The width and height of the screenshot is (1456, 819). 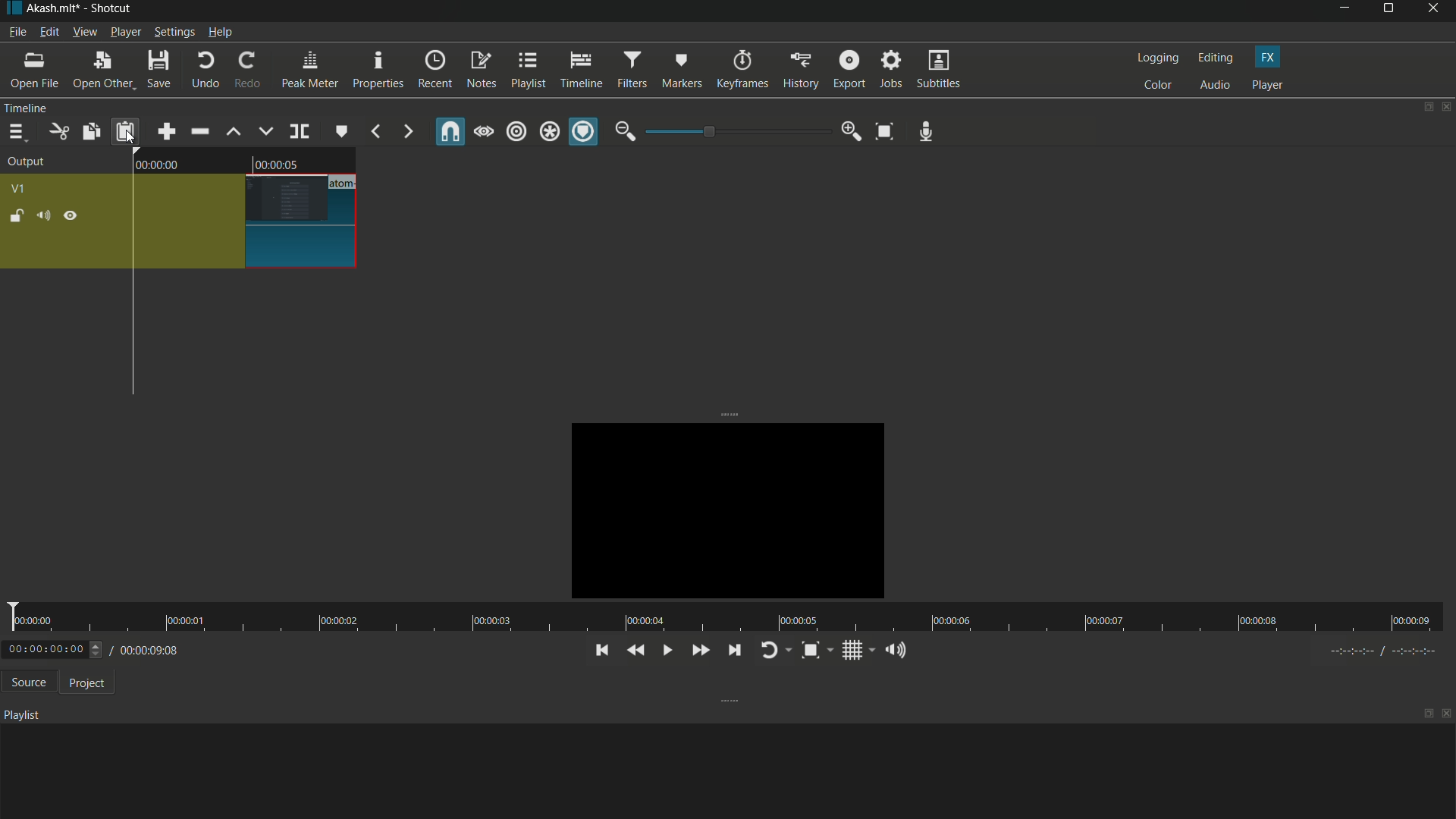 What do you see at coordinates (277, 161) in the screenshot?
I see `|00:00:05` at bounding box center [277, 161].